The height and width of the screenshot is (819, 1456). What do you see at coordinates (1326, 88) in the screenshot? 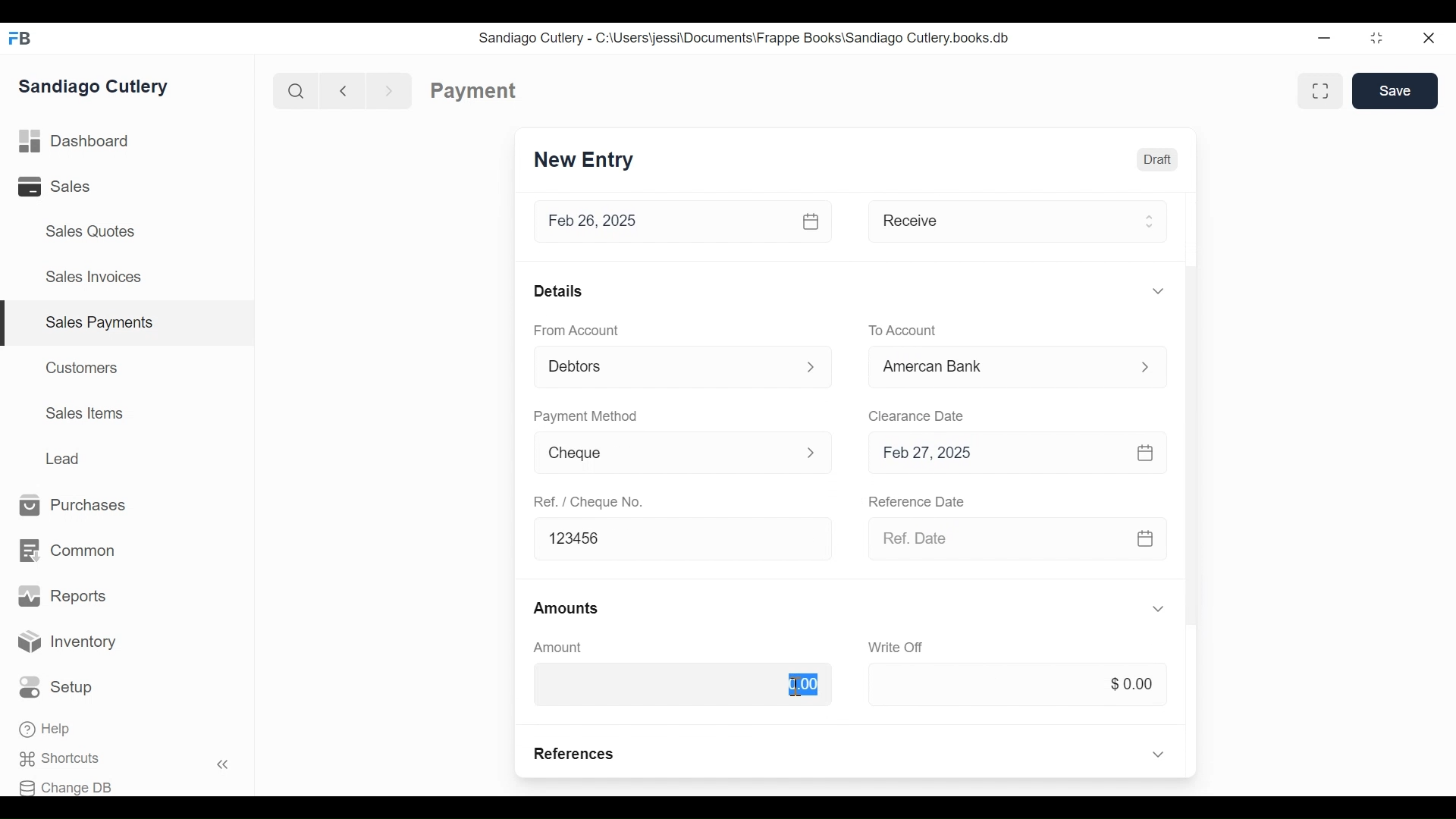
I see `Toggle form and full width ` at bounding box center [1326, 88].